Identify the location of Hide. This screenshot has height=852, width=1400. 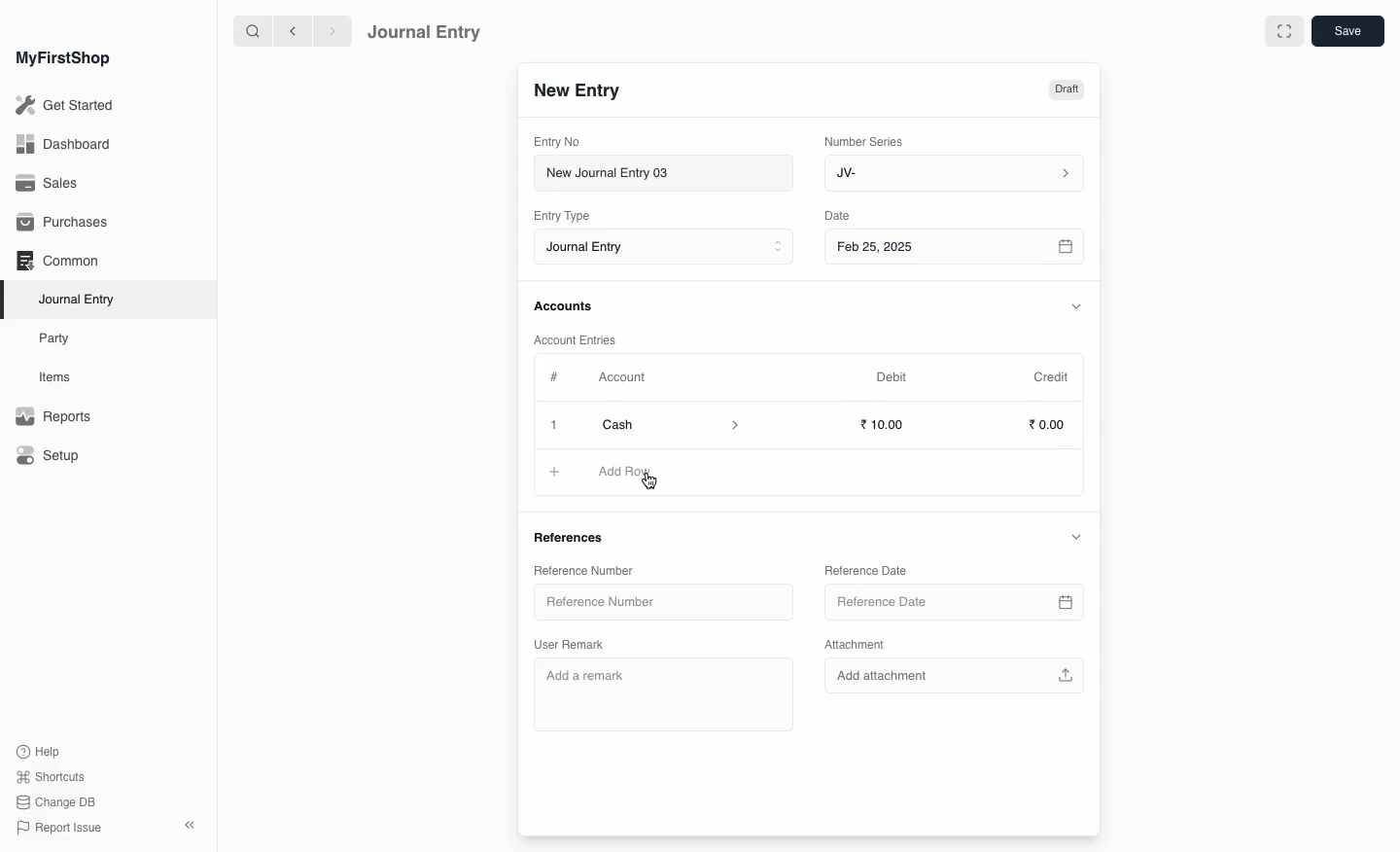
(1075, 537).